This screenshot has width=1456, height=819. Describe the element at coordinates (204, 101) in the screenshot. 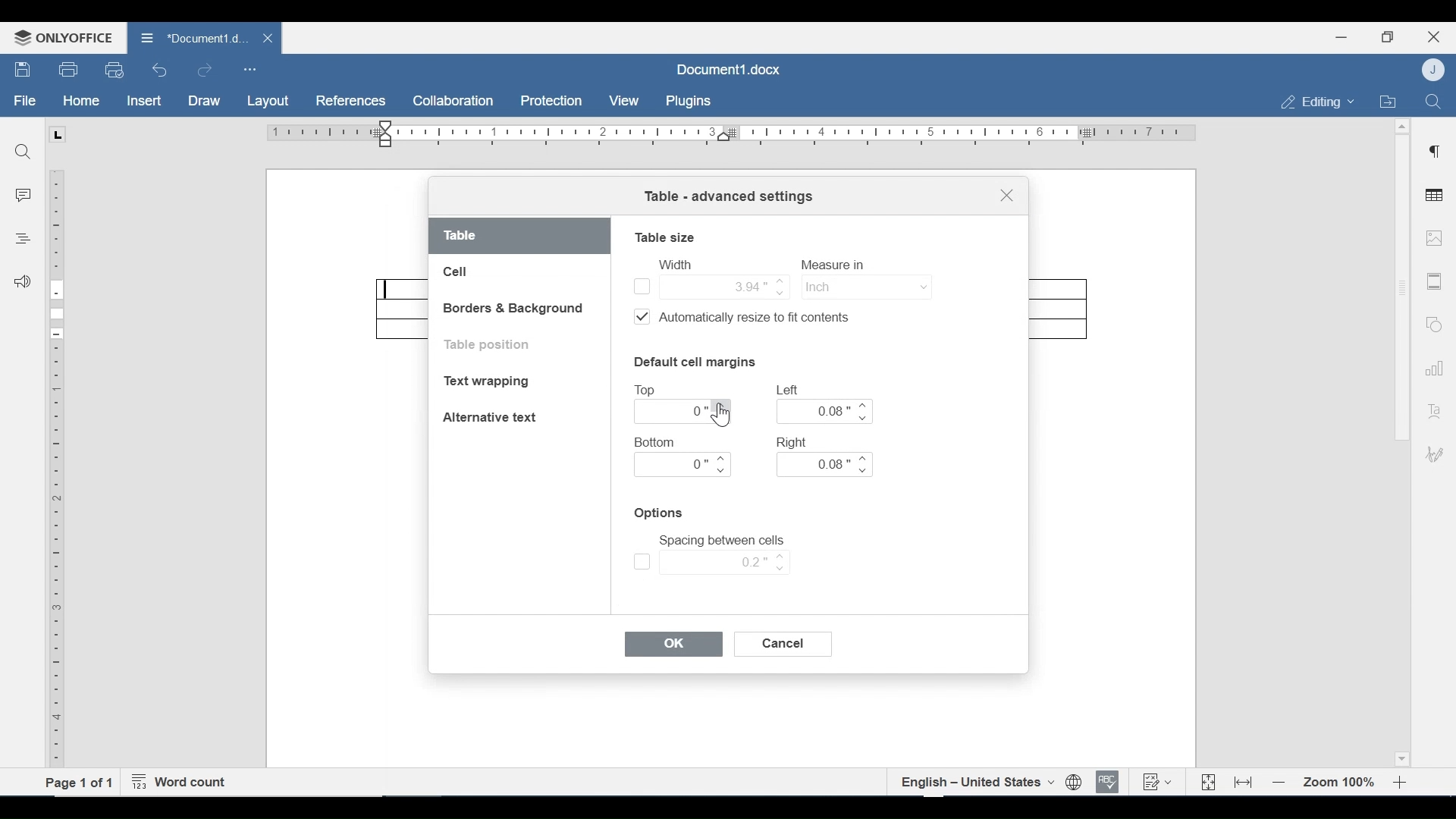

I see `Draw` at that location.